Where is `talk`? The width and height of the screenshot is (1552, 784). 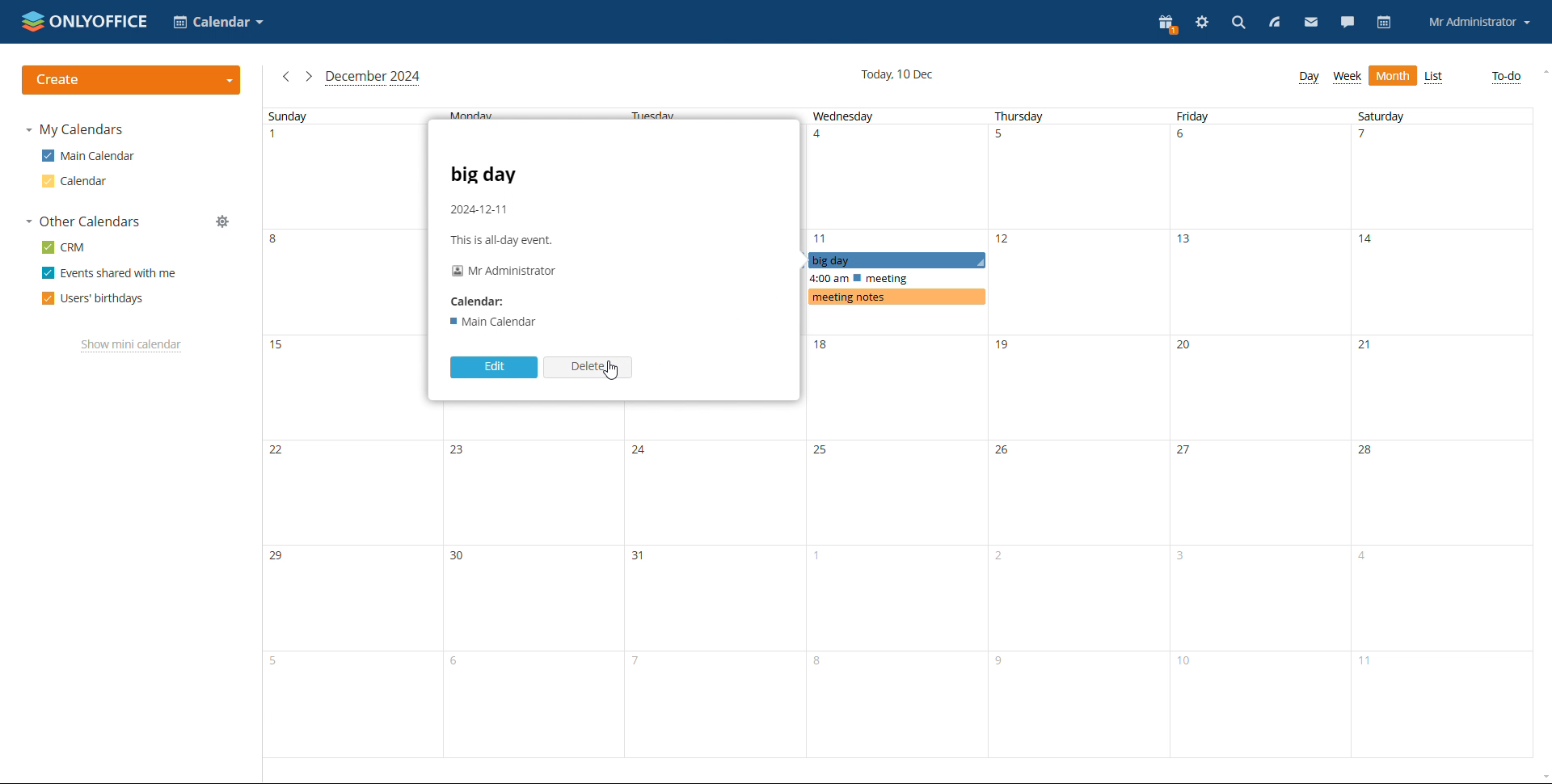 talk is located at coordinates (1347, 22).